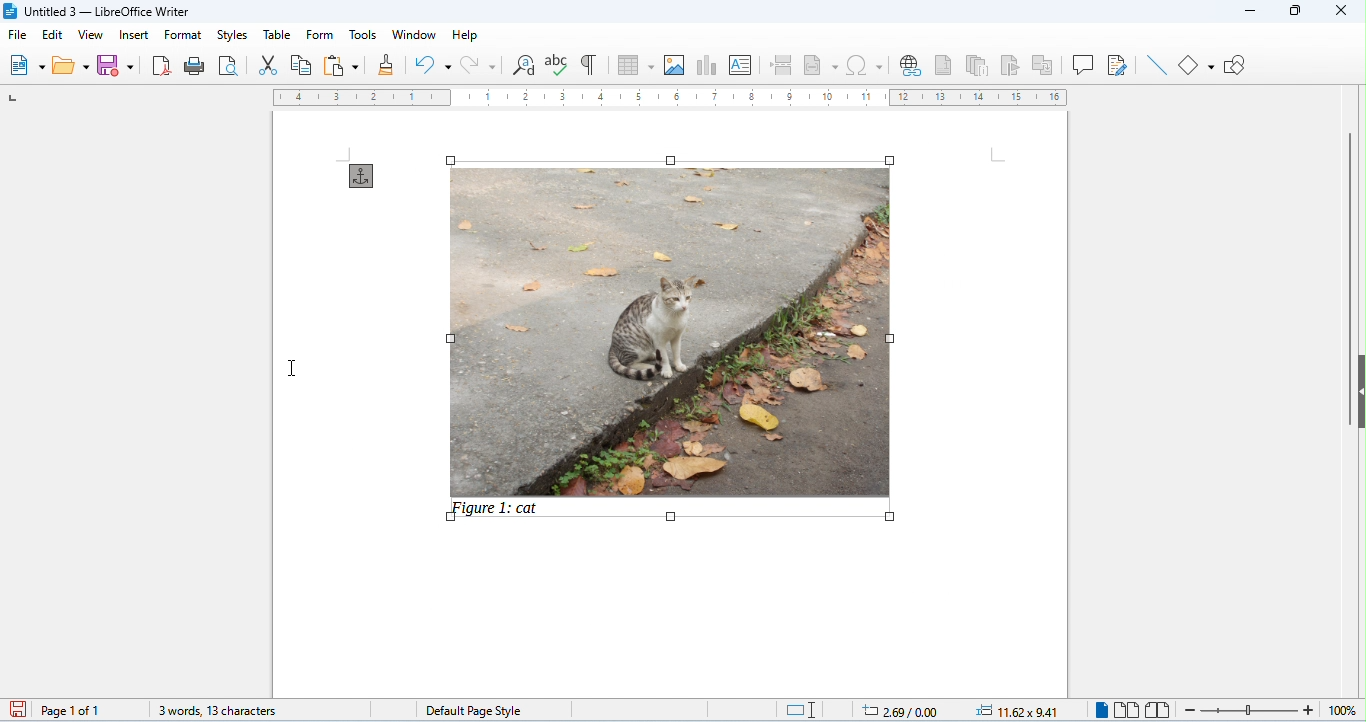  I want to click on table, so click(275, 34).